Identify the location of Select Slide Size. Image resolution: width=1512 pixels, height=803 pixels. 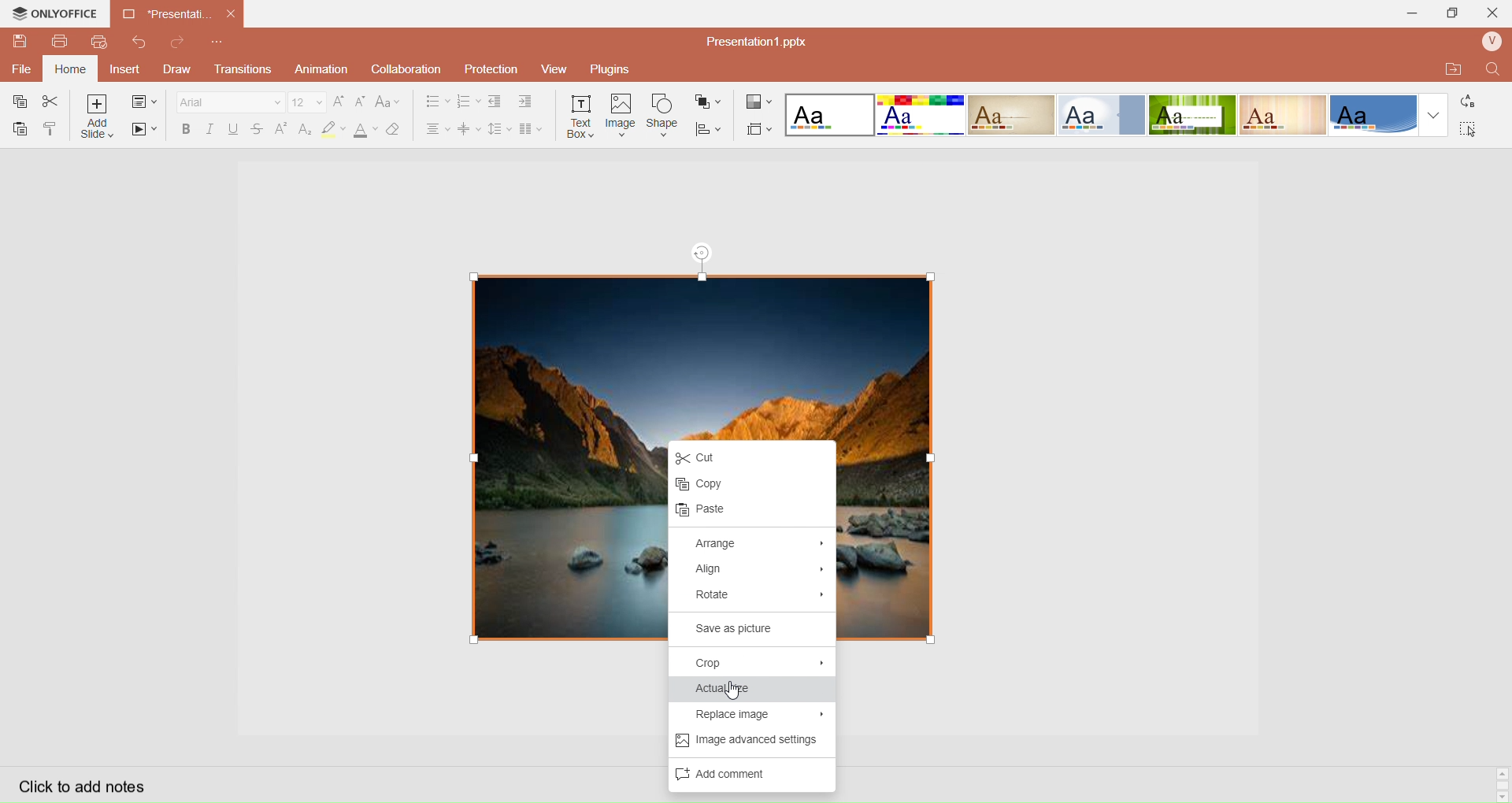
(759, 129).